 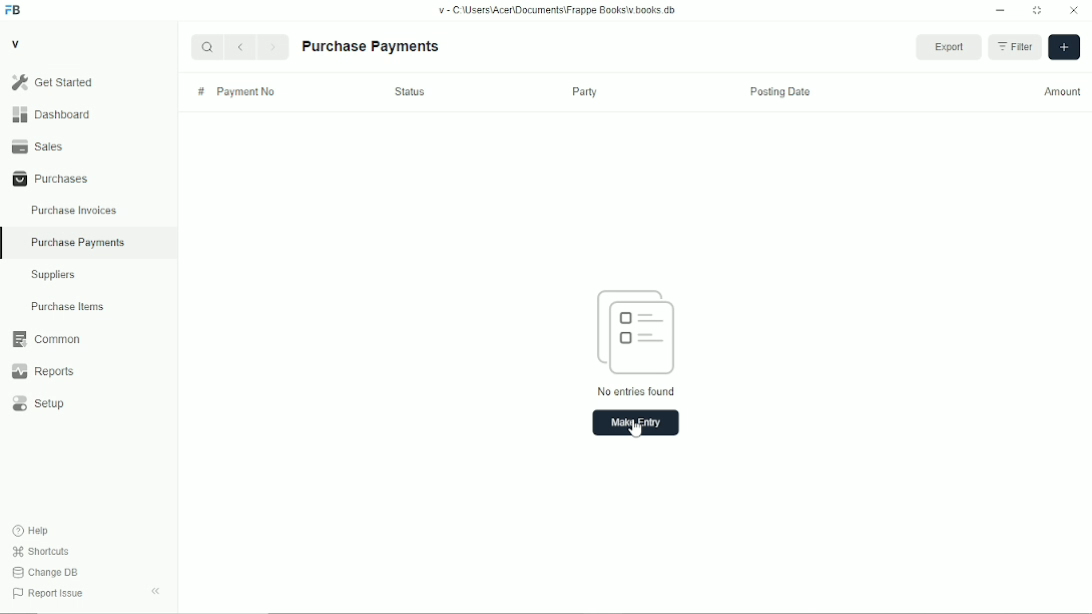 I want to click on Suppliers, so click(x=89, y=275).